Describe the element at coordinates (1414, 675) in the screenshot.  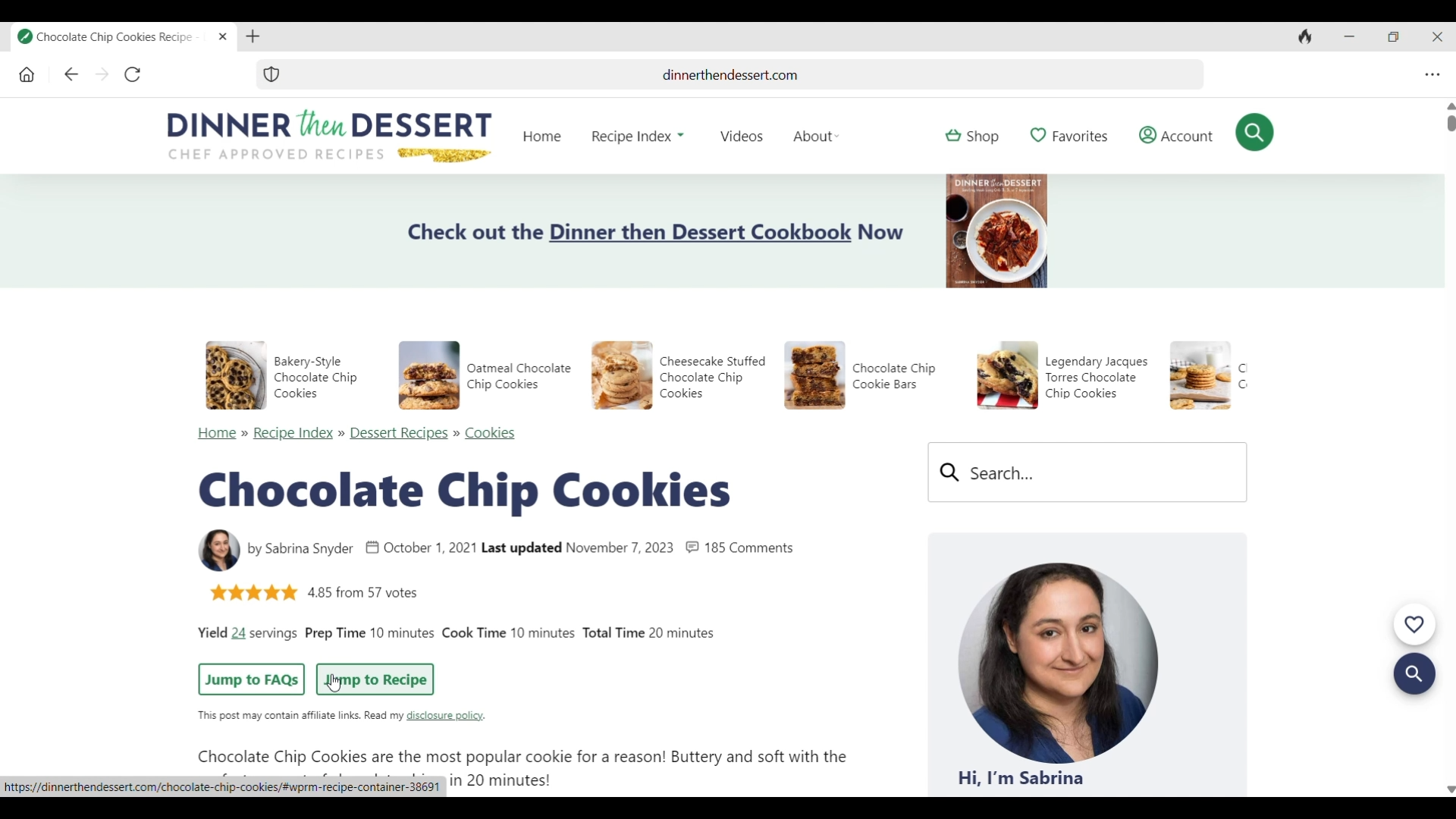
I see `Quick search` at that location.